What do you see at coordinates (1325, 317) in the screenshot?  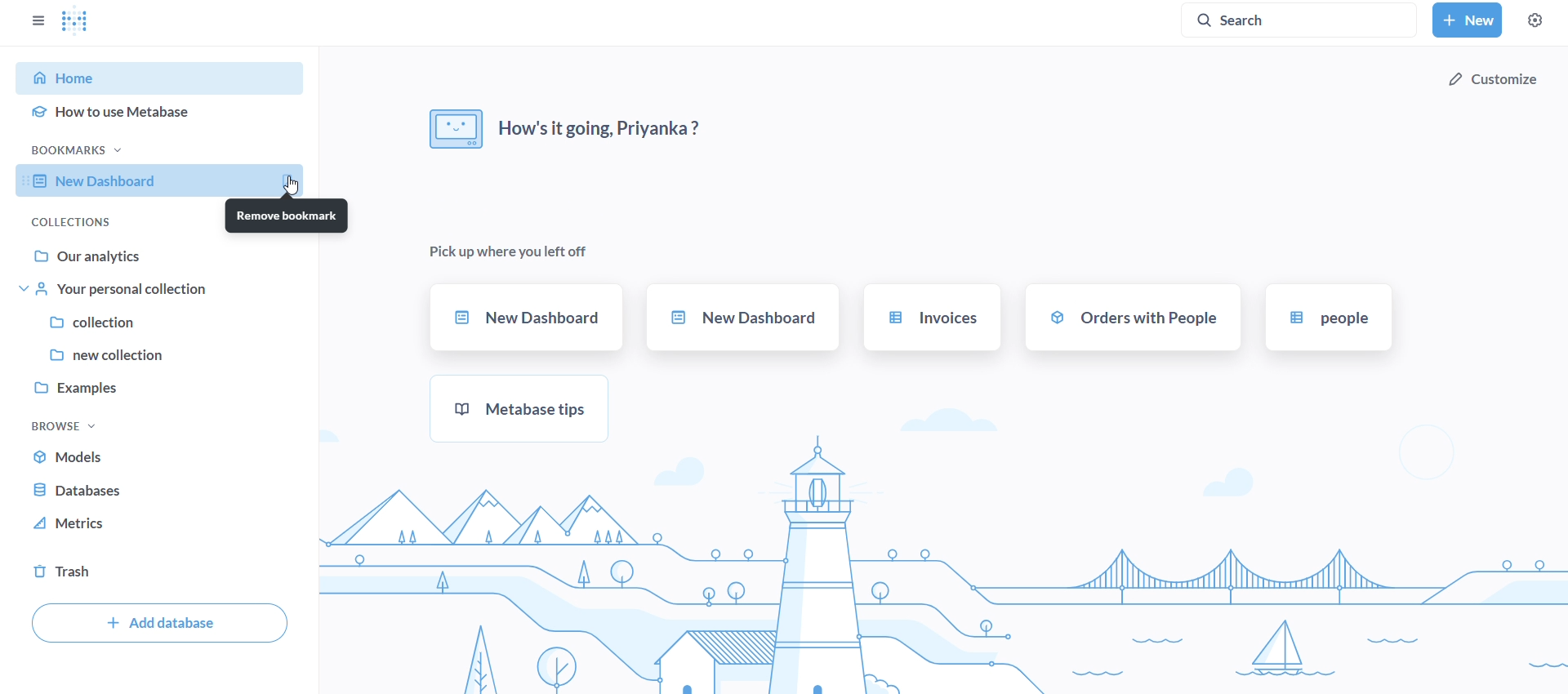 I see `people` at bounding box center [1325, 317].